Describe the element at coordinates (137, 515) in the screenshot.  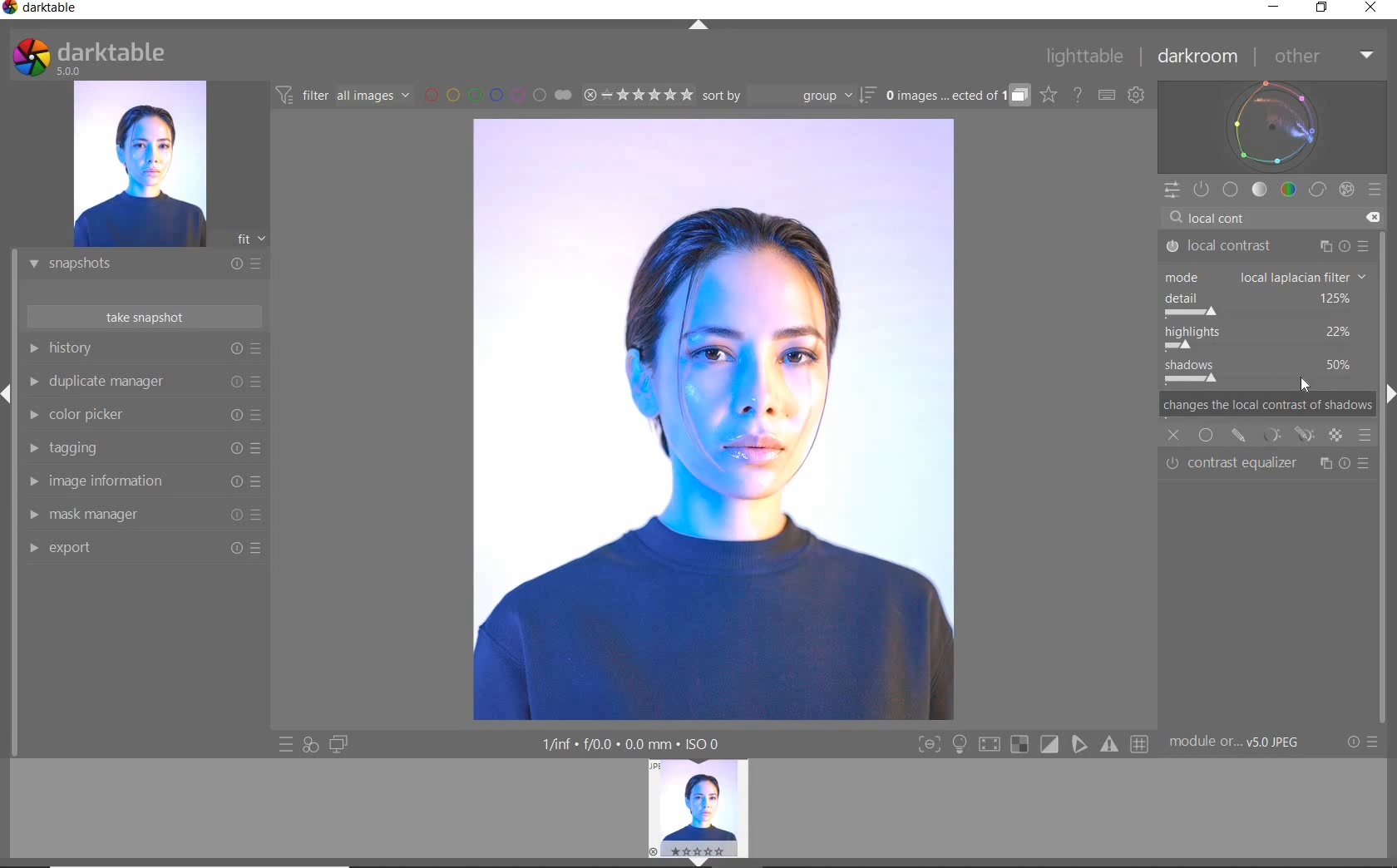
I see `MASK MANAGER` at that location.